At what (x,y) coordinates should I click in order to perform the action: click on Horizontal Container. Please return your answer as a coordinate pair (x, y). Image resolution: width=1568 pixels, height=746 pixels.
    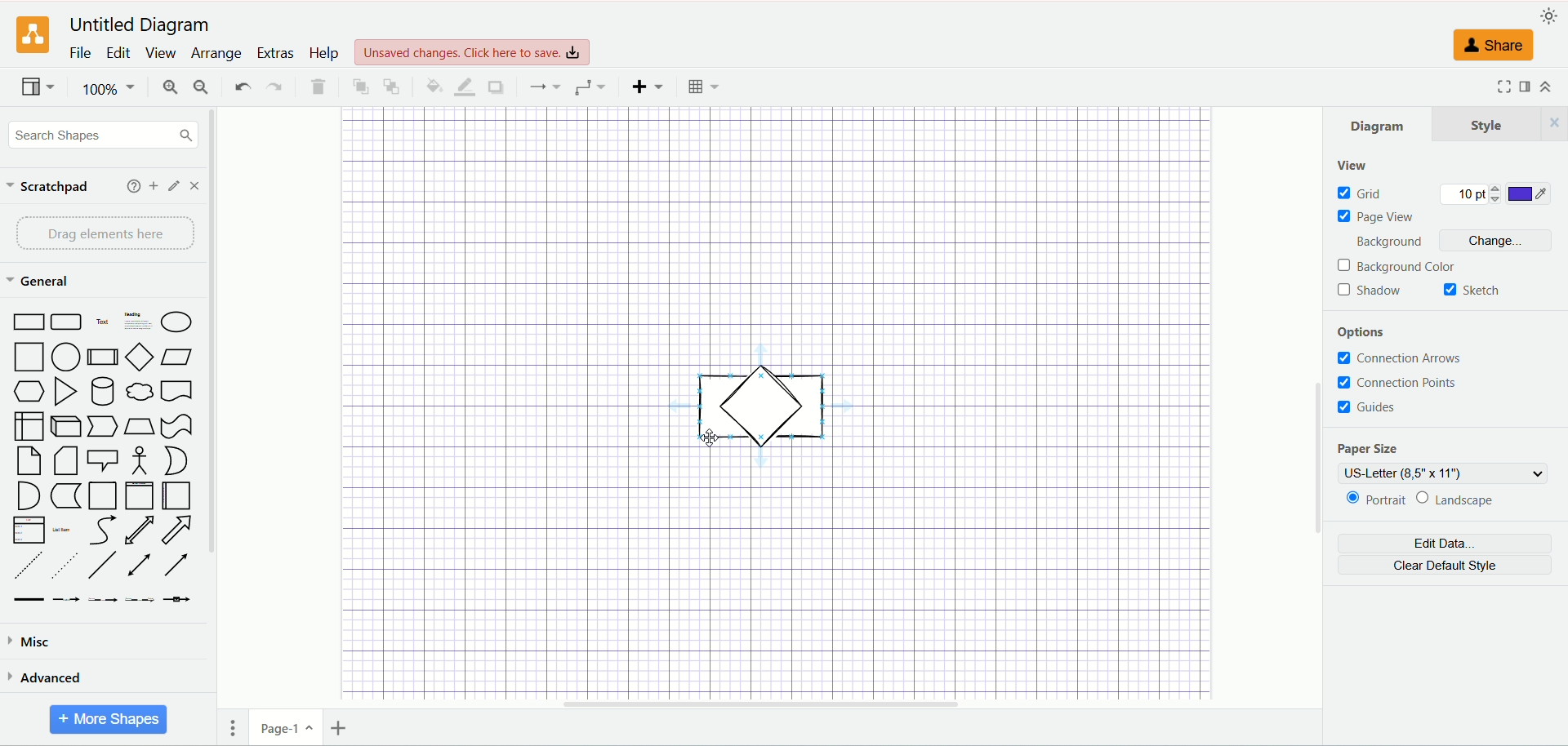
    Looking at the image, I should click on (180, 495).